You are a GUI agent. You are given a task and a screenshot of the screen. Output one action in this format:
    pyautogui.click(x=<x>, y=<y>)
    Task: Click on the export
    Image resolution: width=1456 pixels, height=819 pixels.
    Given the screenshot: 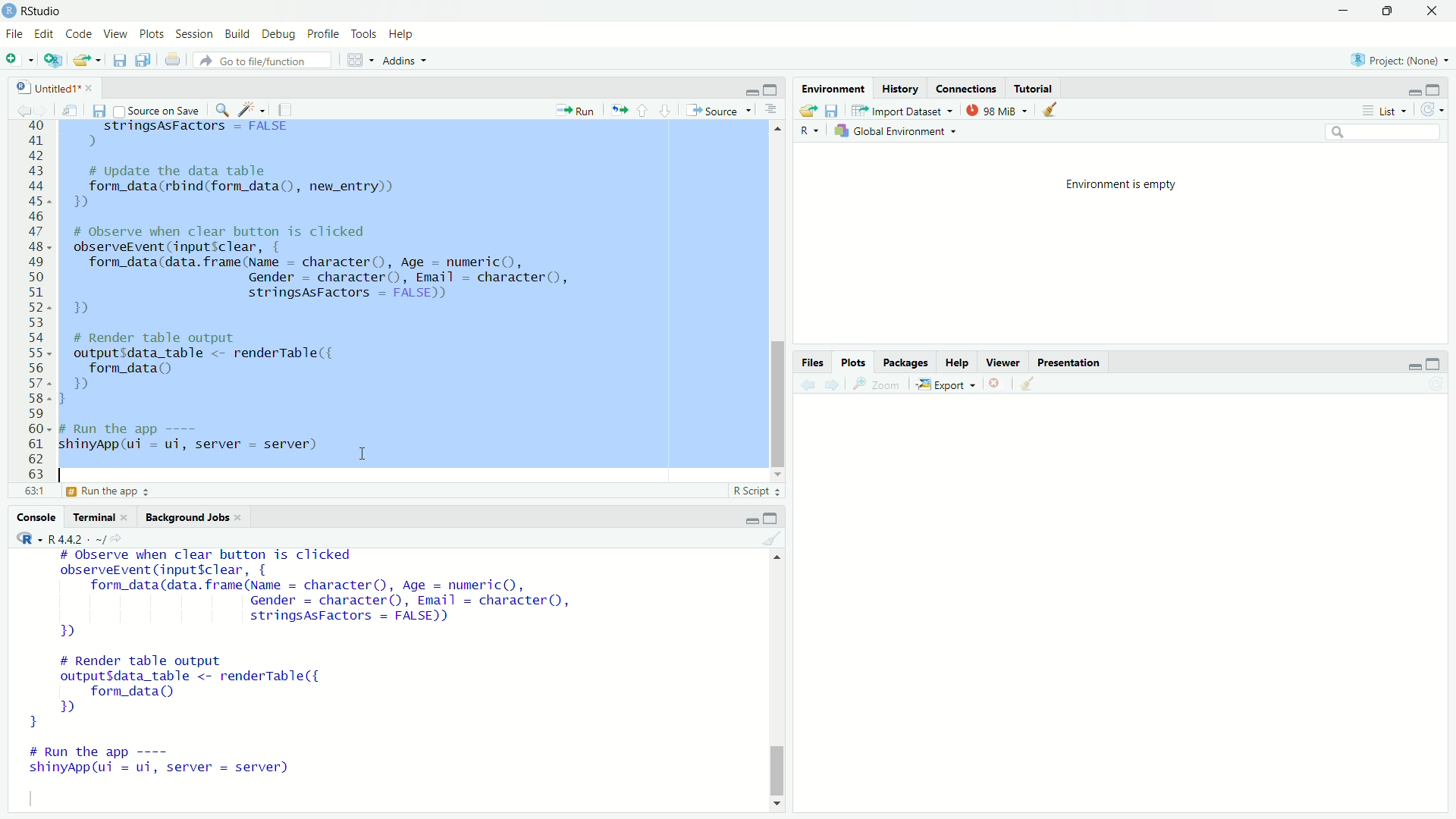 What is the action you would take?
    pyautogui.click(x=945, y=385)
    